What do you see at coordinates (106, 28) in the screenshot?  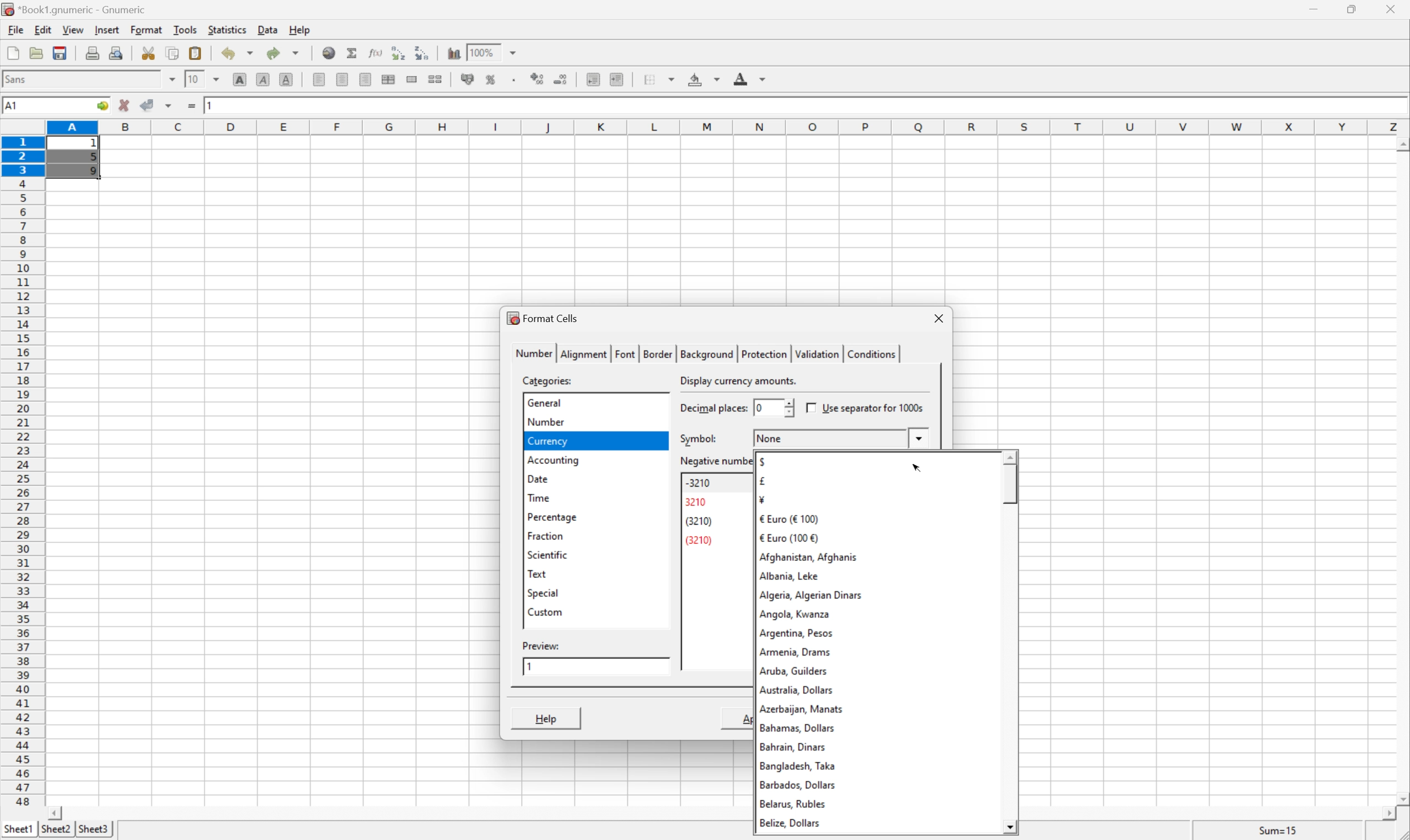 I see `insert` at bounding box center [106, 28].